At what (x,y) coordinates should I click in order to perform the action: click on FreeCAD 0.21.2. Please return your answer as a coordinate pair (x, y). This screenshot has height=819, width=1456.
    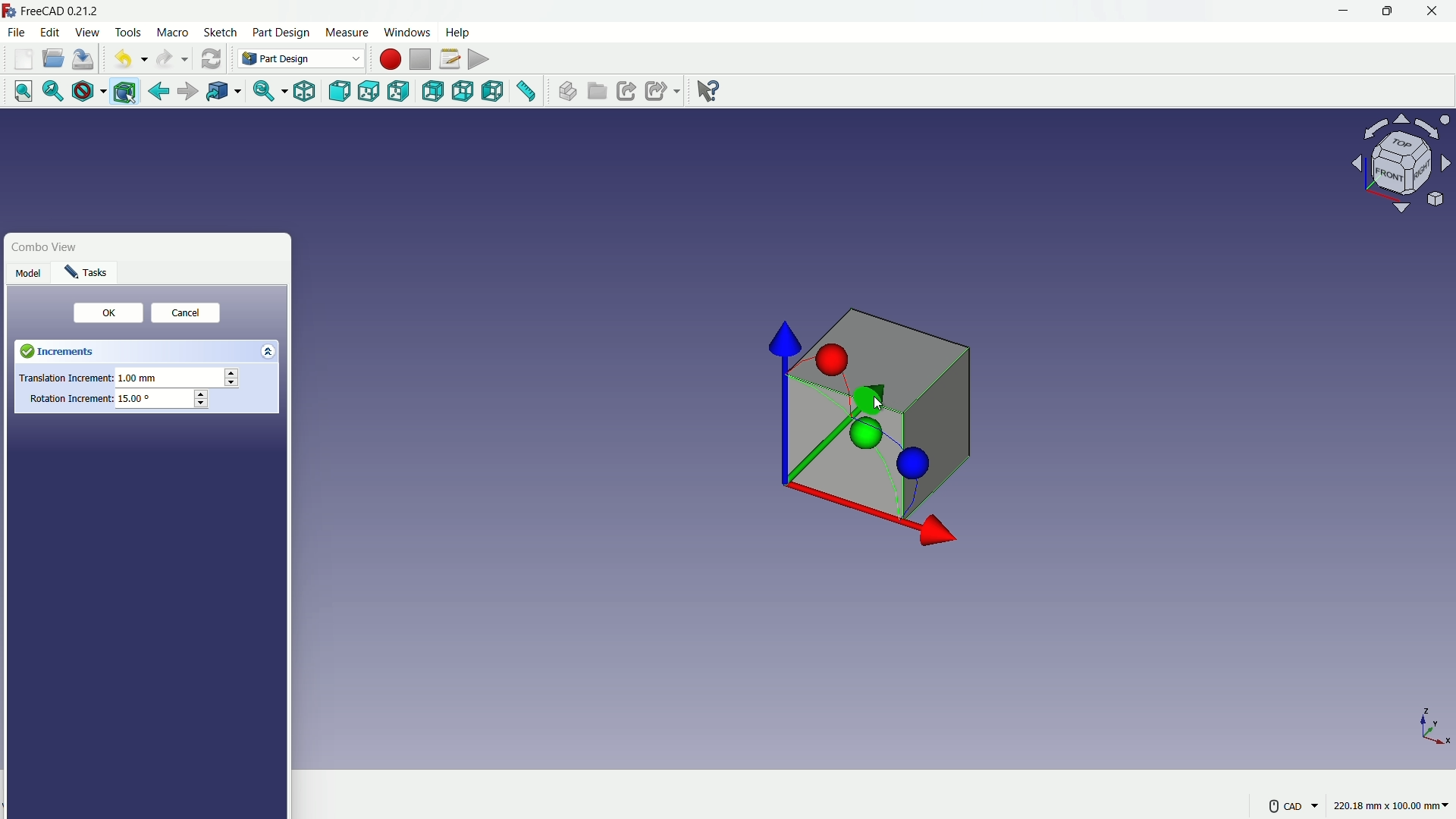
    Looking at the image, I should click on (53, 10).